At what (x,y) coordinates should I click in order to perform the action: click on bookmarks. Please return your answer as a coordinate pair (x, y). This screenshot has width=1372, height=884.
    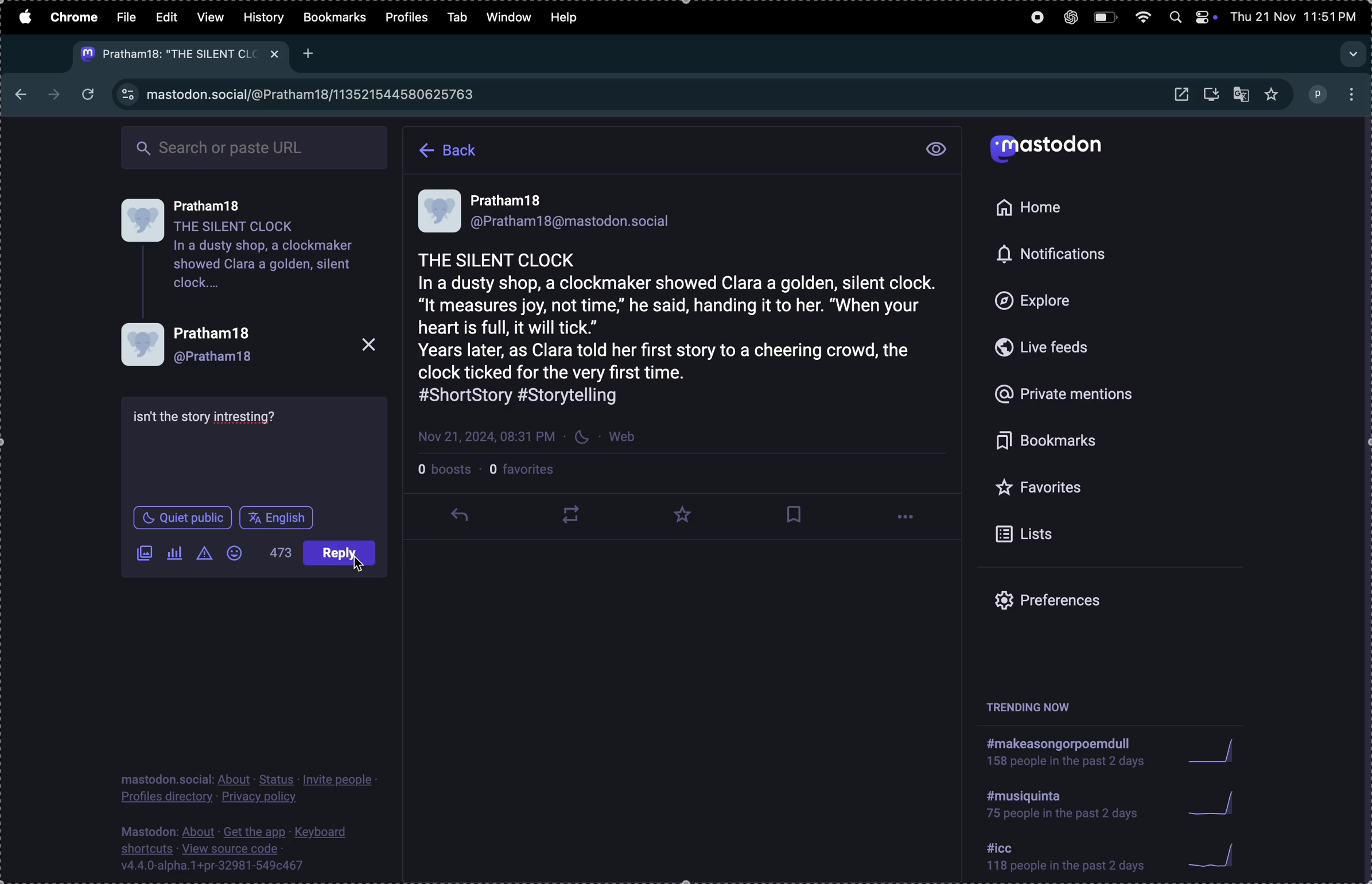
    Looking at the image, I should click on (334, 19).